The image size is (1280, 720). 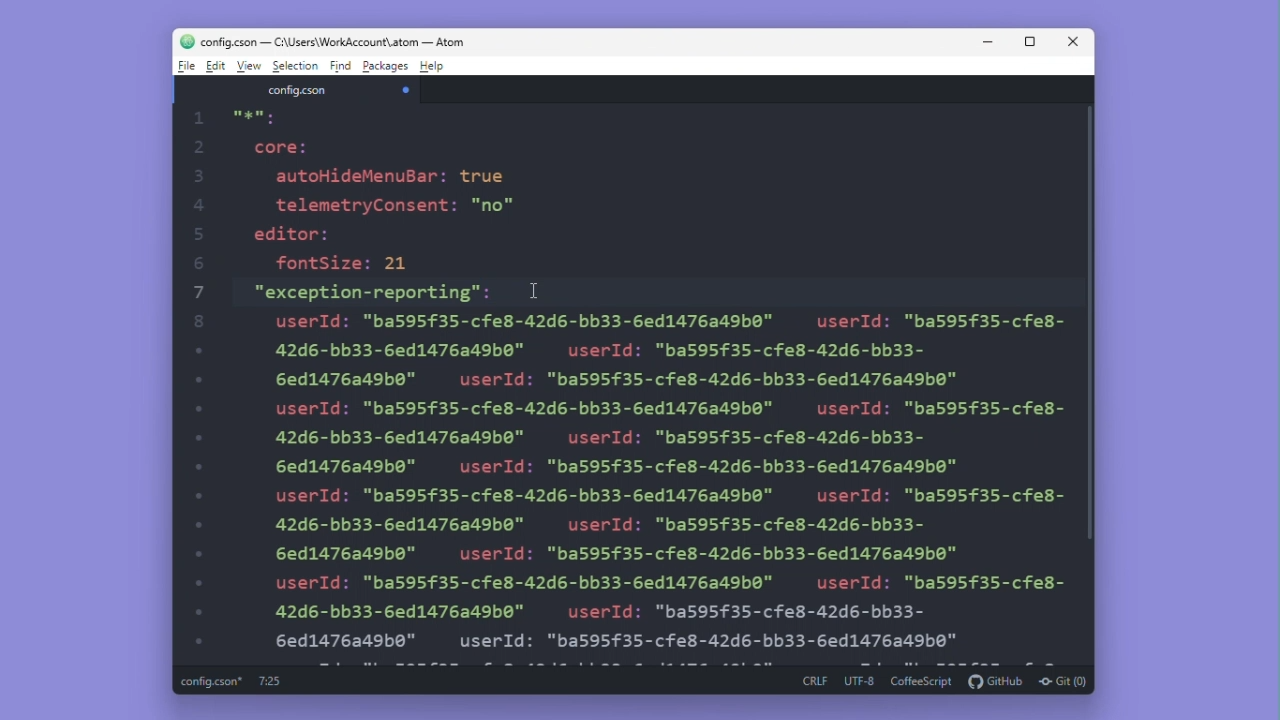 What do you see at coordinates (321, 40) in the screenshot?
I see `config.cson-C:\Users\WorkAccount\atom-Atom` at bounding box center [321, 40].